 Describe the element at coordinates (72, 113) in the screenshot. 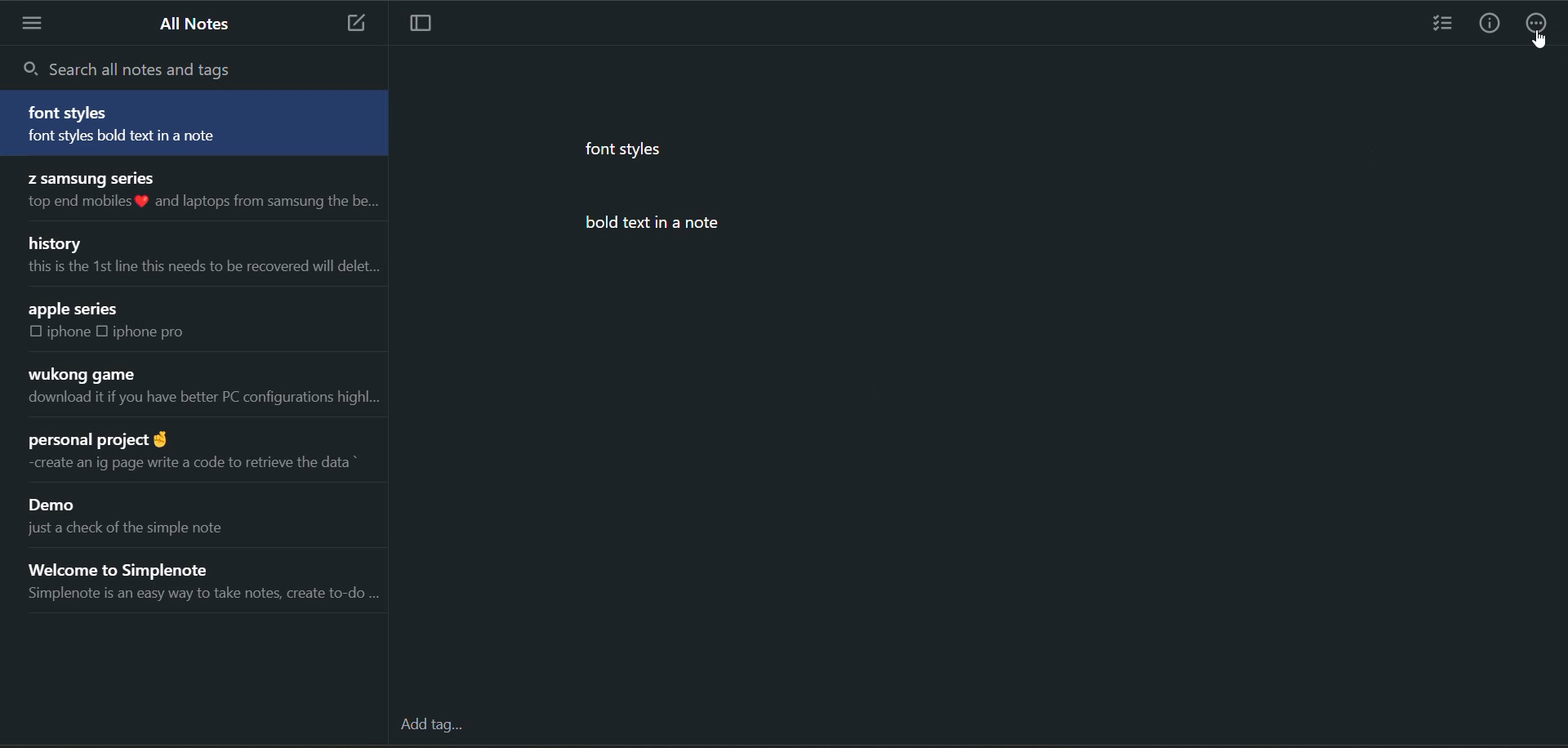

I see `font styles` at that location.